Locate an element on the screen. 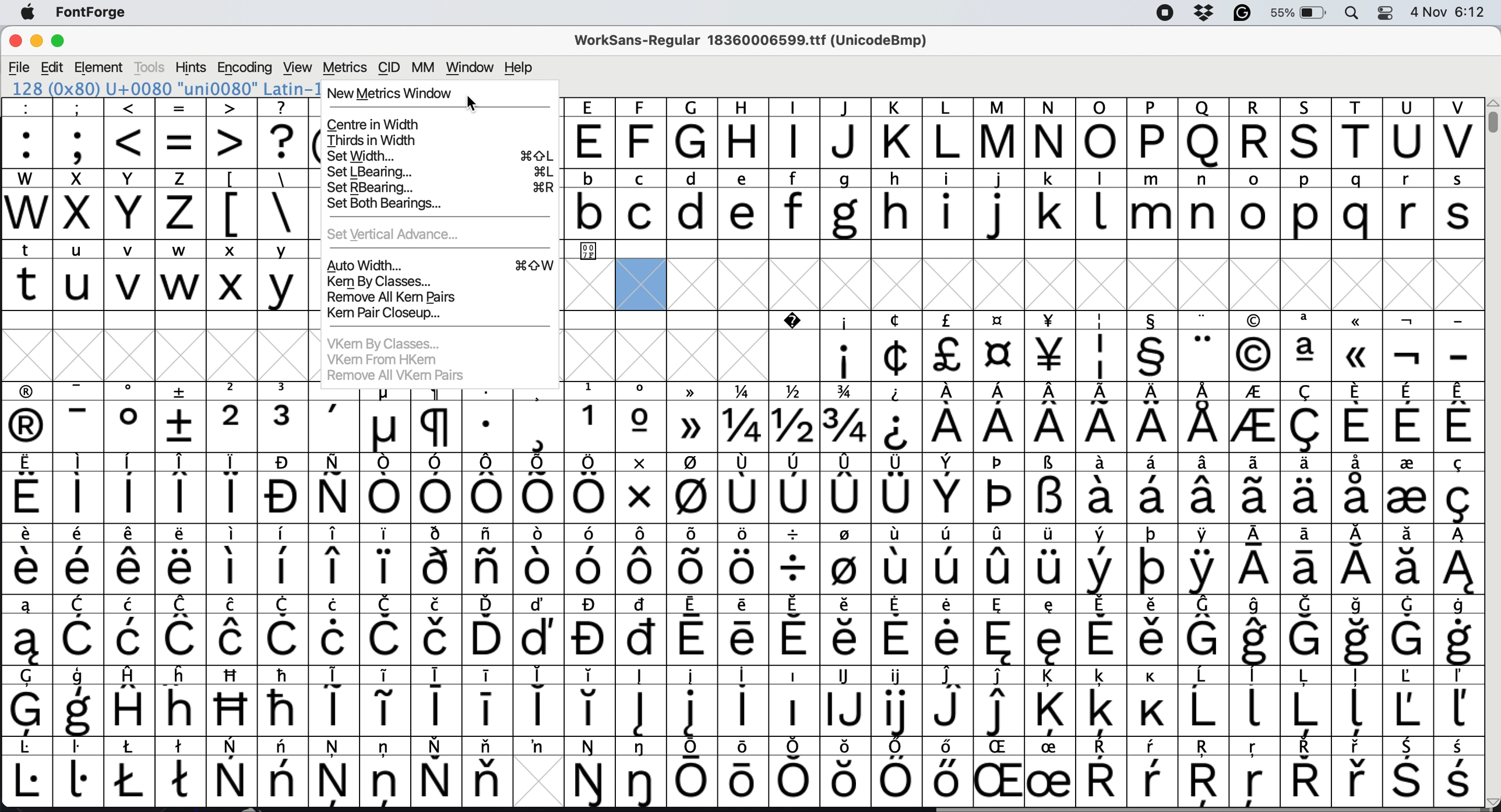 Image resolution: width=1501 pixels, height=812 pixels. 128 (Ox80) U+0080 'uni0Os80” Latin-1 is located at coordinates (165, 90).